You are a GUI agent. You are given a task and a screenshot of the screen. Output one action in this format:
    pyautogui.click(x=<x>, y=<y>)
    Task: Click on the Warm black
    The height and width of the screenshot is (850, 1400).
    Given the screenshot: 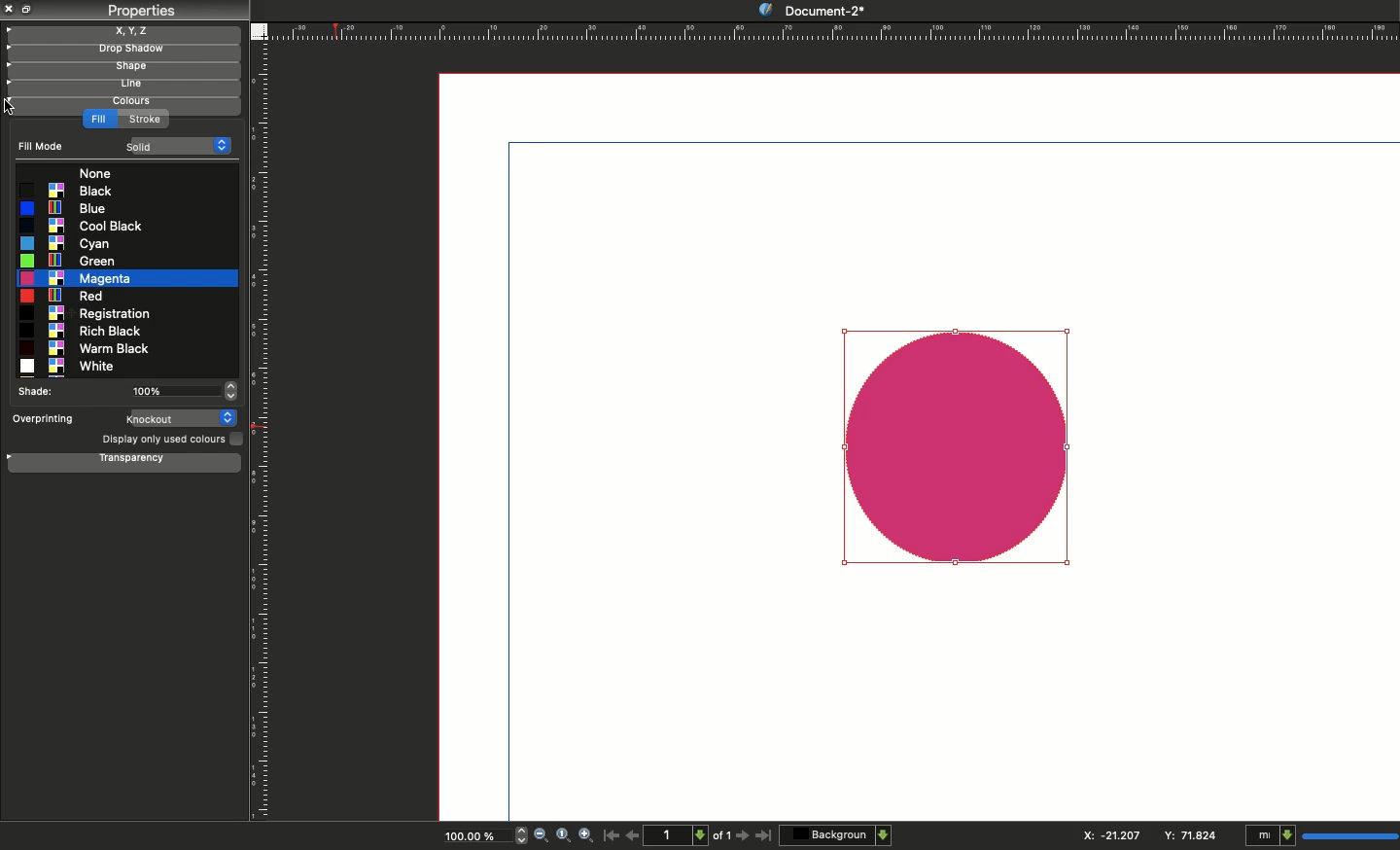 What is the action you would take?
    pyautogui.click(x=92, y=346)
    